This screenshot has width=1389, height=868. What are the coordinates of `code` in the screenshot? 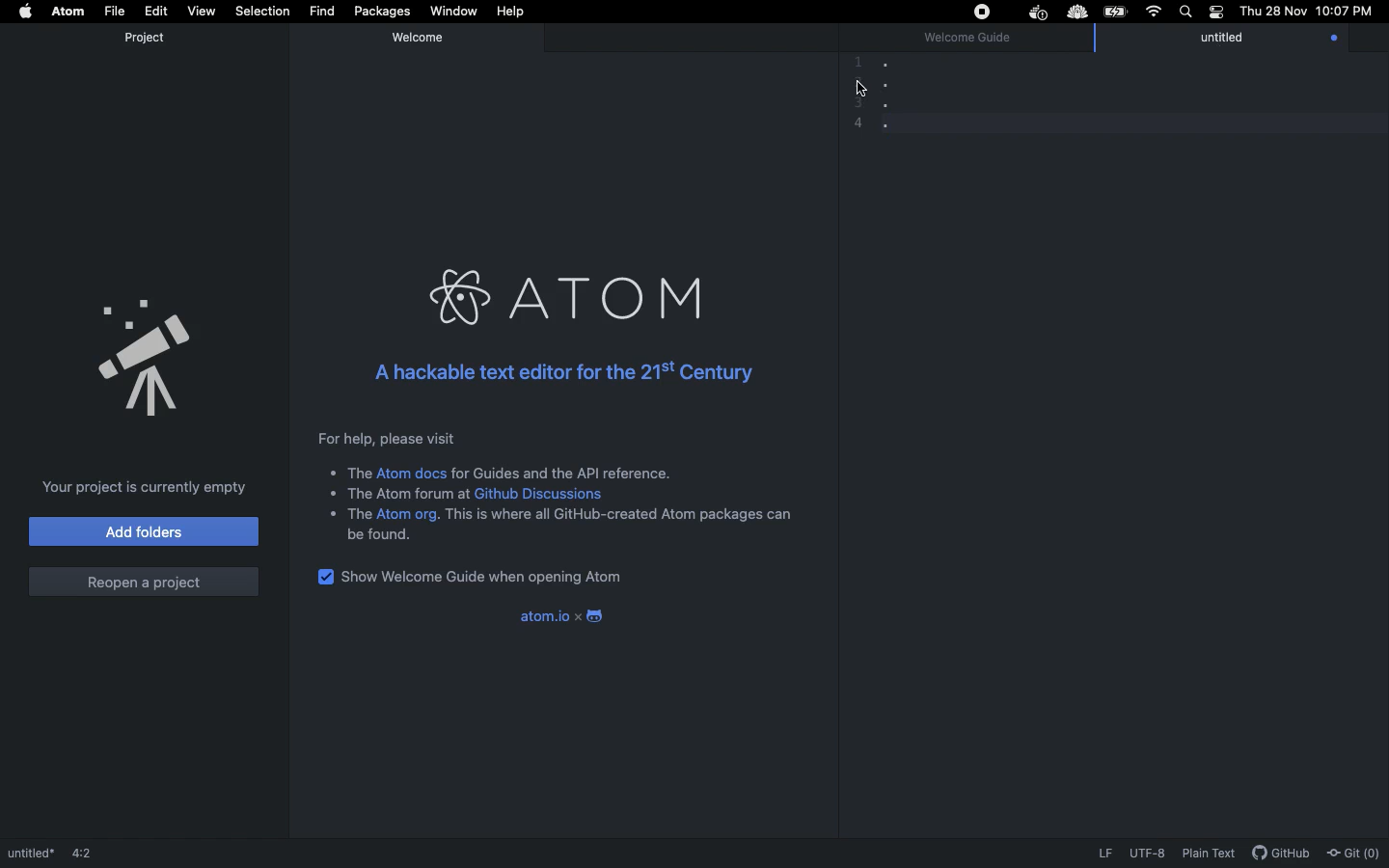 It's located at (911, 95).